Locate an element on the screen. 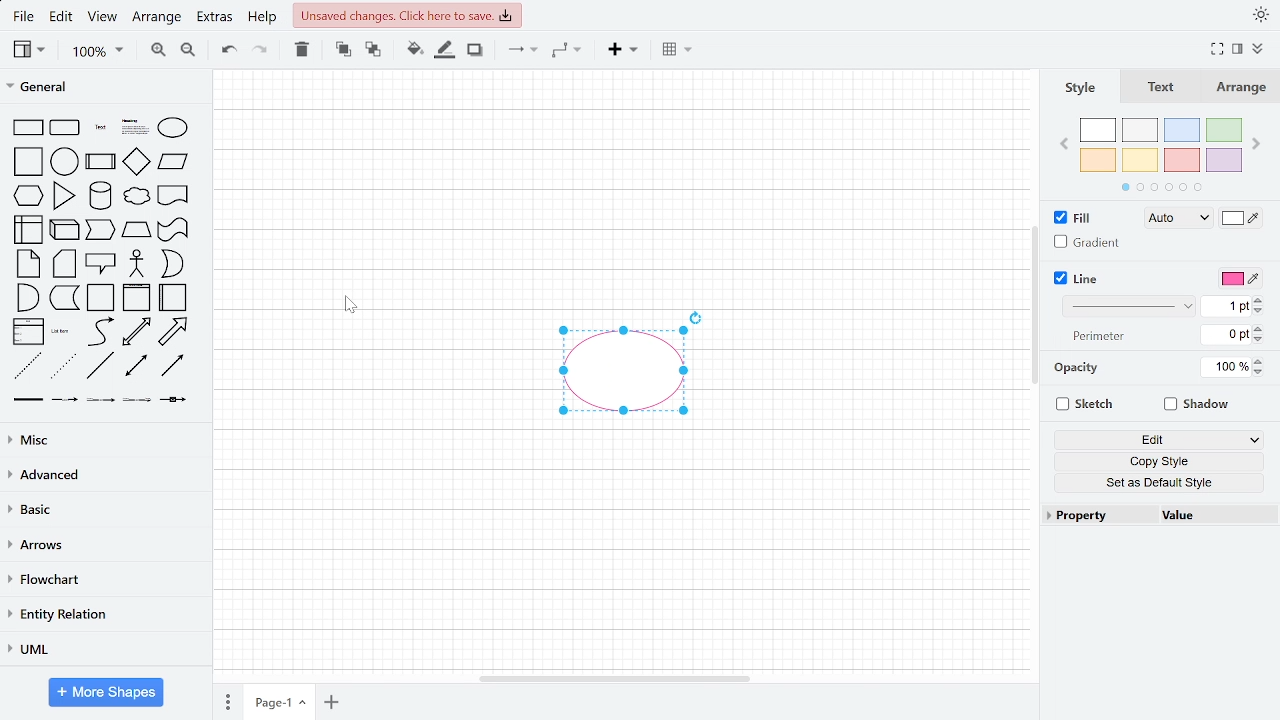 The width and height of the screenshot is (1280, 720). basice is located at coordinates (102, 512).